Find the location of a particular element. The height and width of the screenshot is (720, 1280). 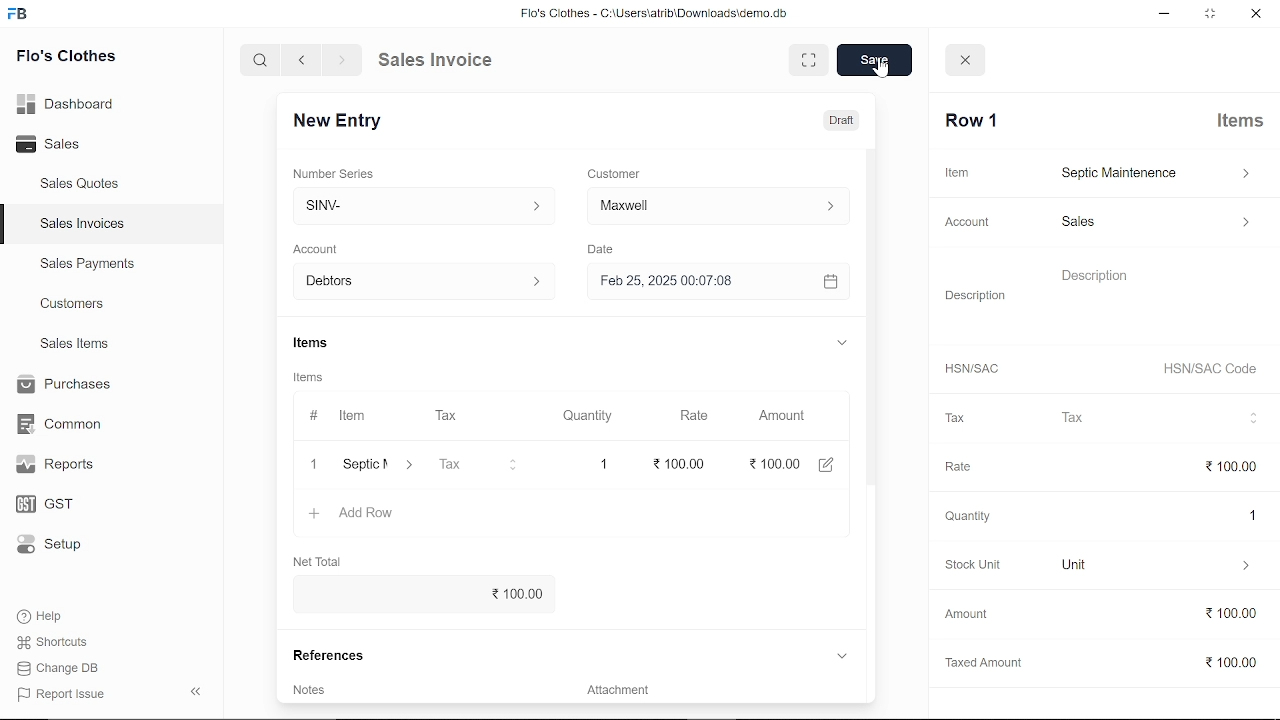

100 is located at coordinates (1232, 468).